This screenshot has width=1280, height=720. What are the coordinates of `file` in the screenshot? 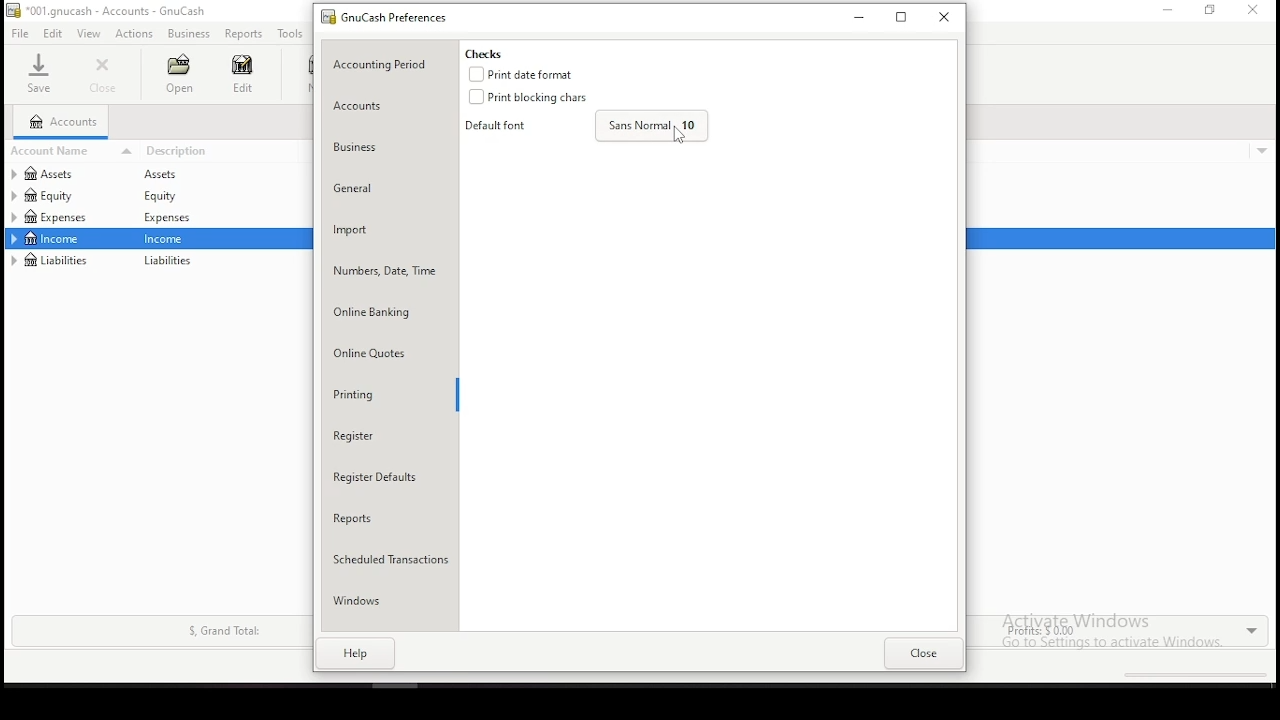 It's located at (19, 34).